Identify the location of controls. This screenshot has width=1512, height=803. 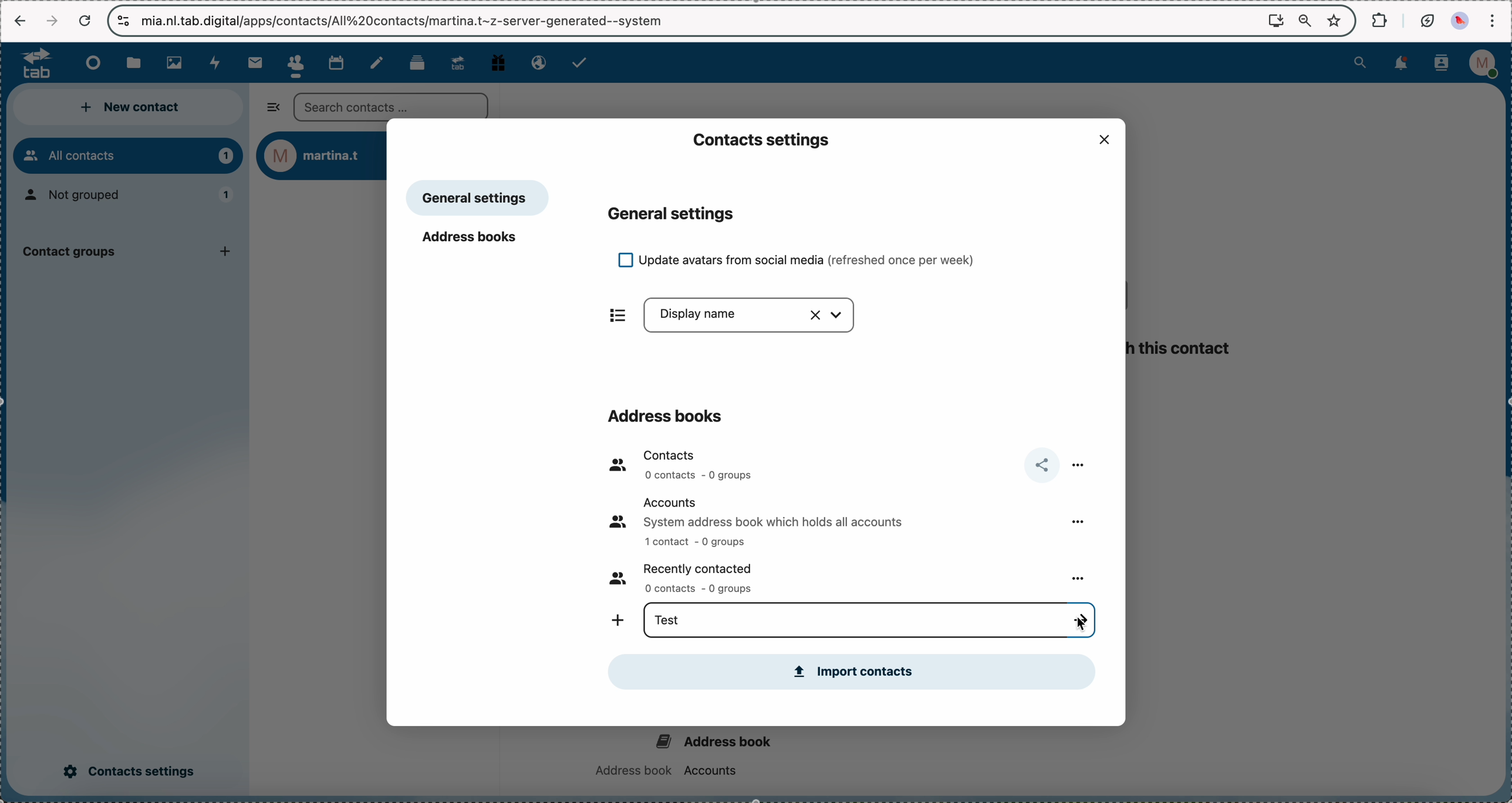
(122, 19).